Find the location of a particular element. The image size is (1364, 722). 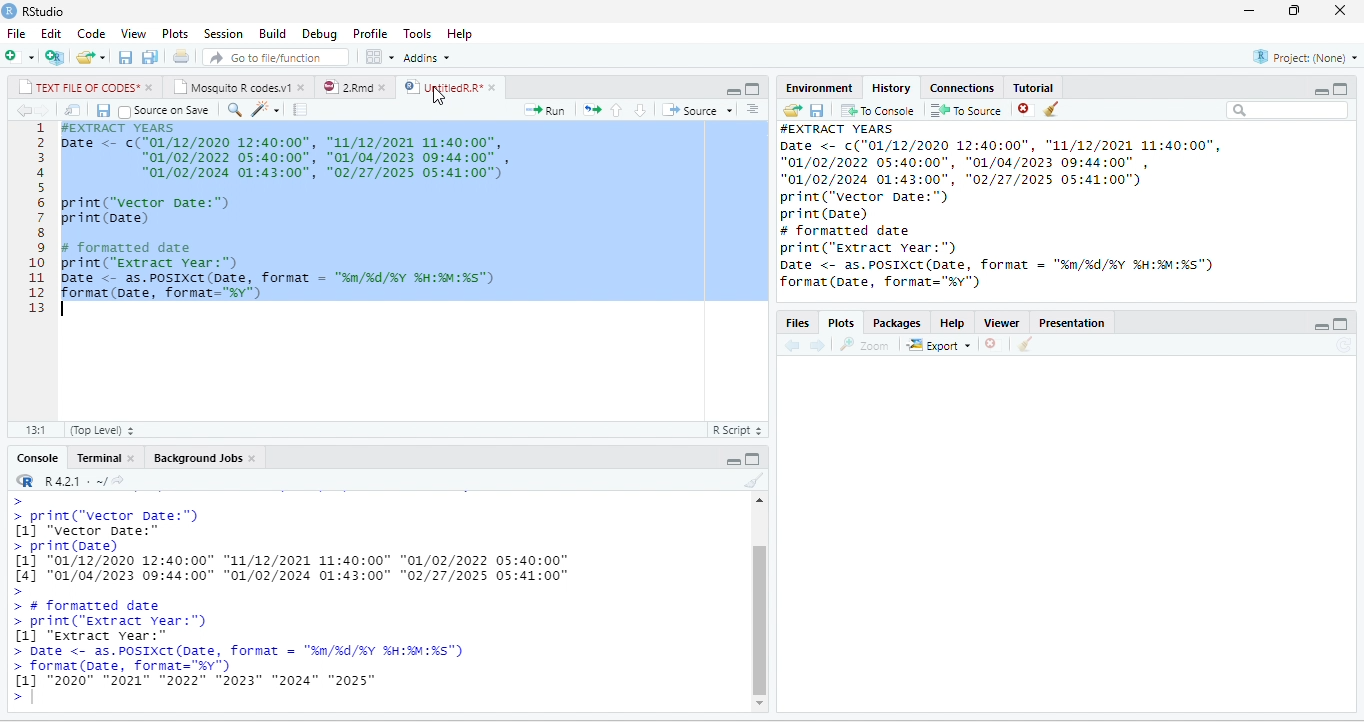

scroll bar is located at coordinates (758, 620).